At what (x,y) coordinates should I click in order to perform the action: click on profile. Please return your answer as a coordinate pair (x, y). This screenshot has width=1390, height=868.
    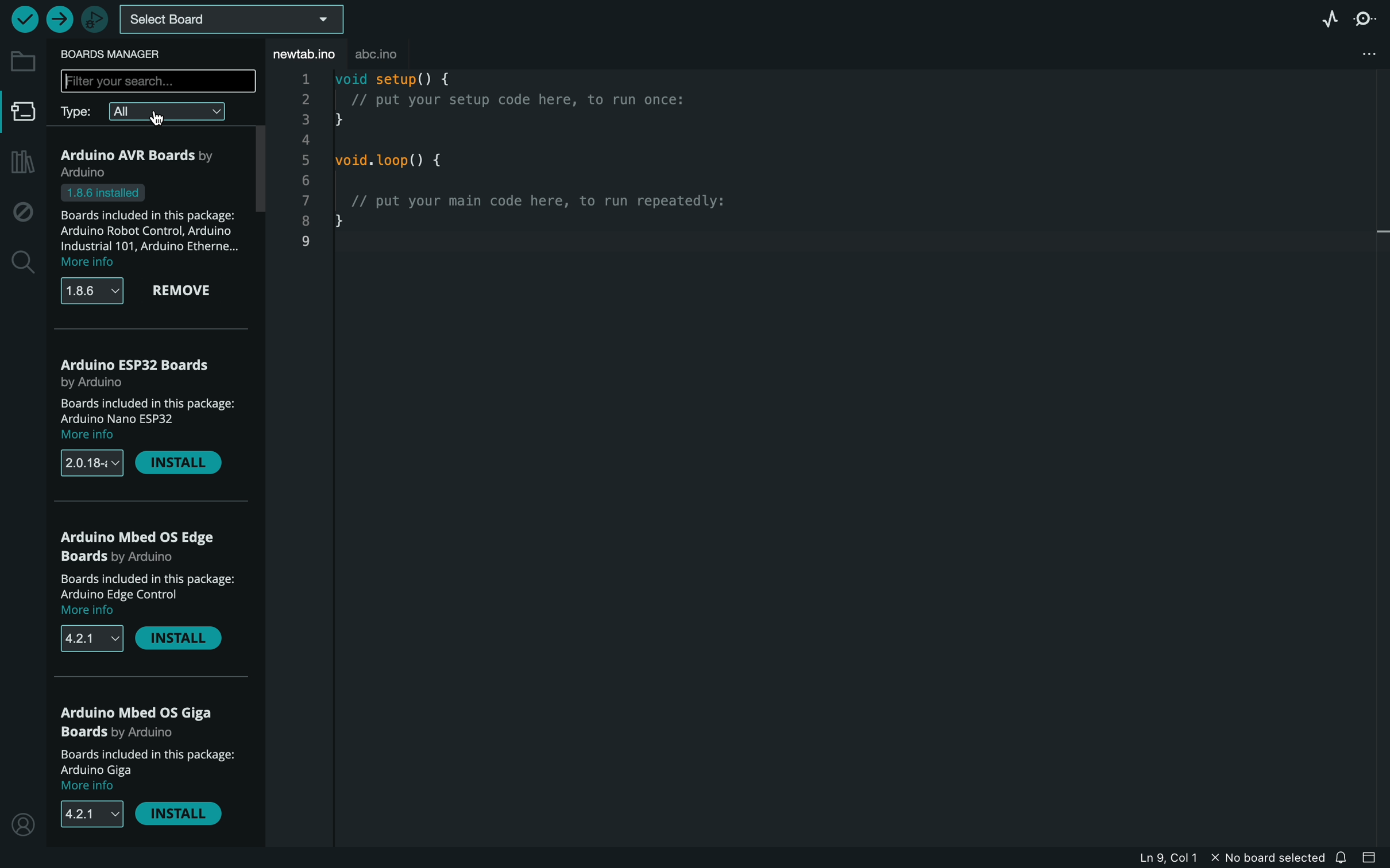
    Looking at the image, I should click on (22, 822).